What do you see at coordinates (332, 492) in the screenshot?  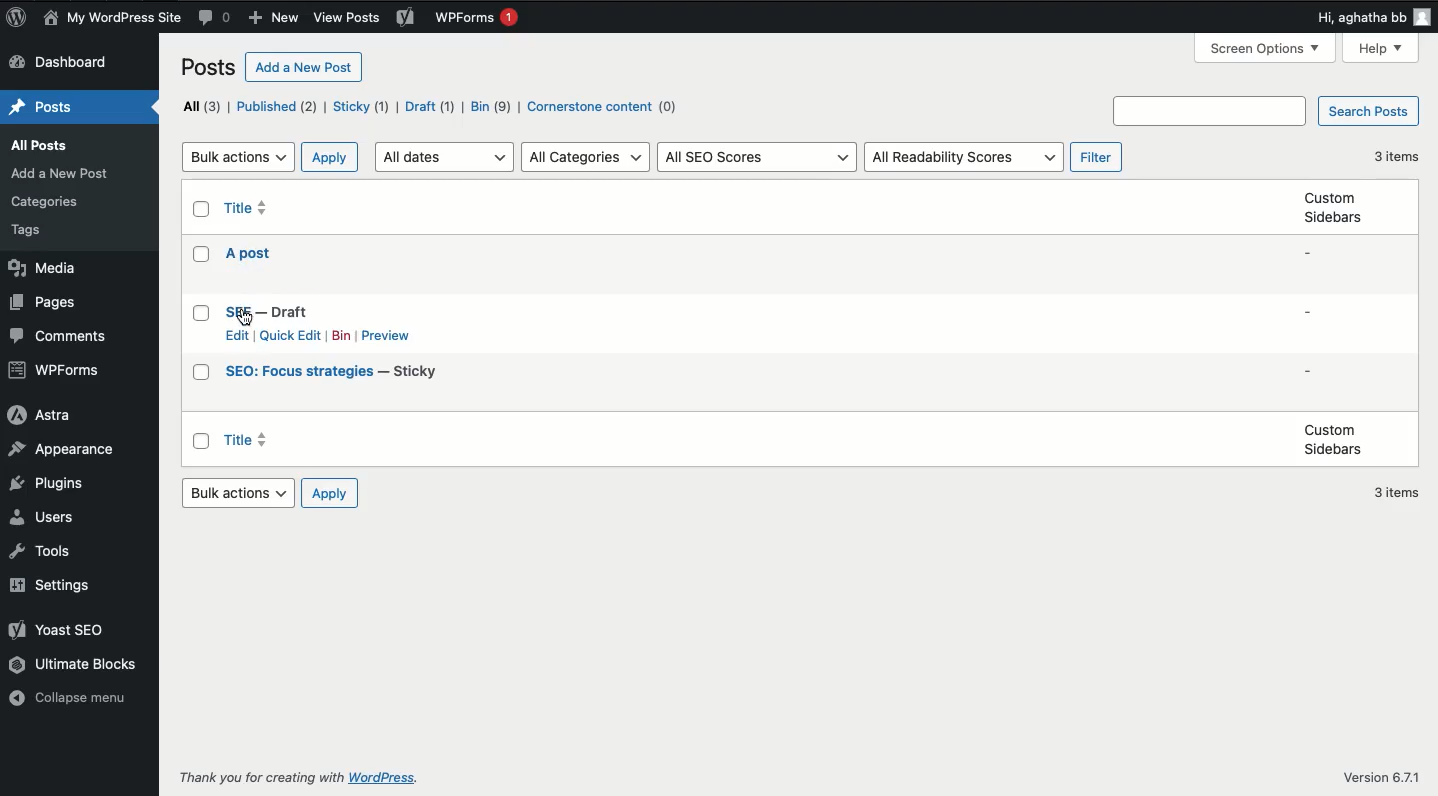 I see `Apply` at bounding box center [332, 492].